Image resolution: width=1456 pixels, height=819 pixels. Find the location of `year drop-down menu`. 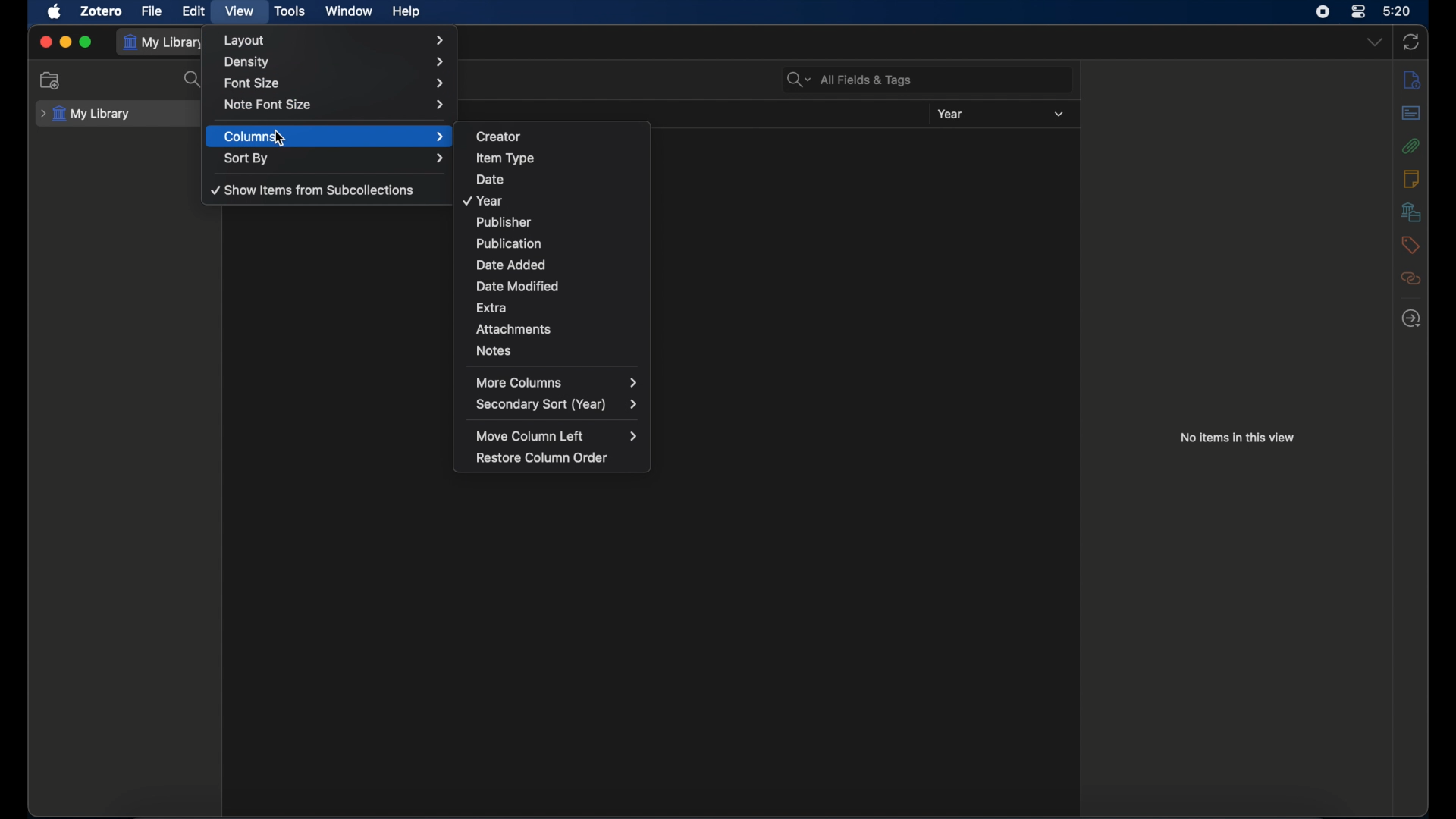

year drop-down menu is located at coordinates (1059, 115).